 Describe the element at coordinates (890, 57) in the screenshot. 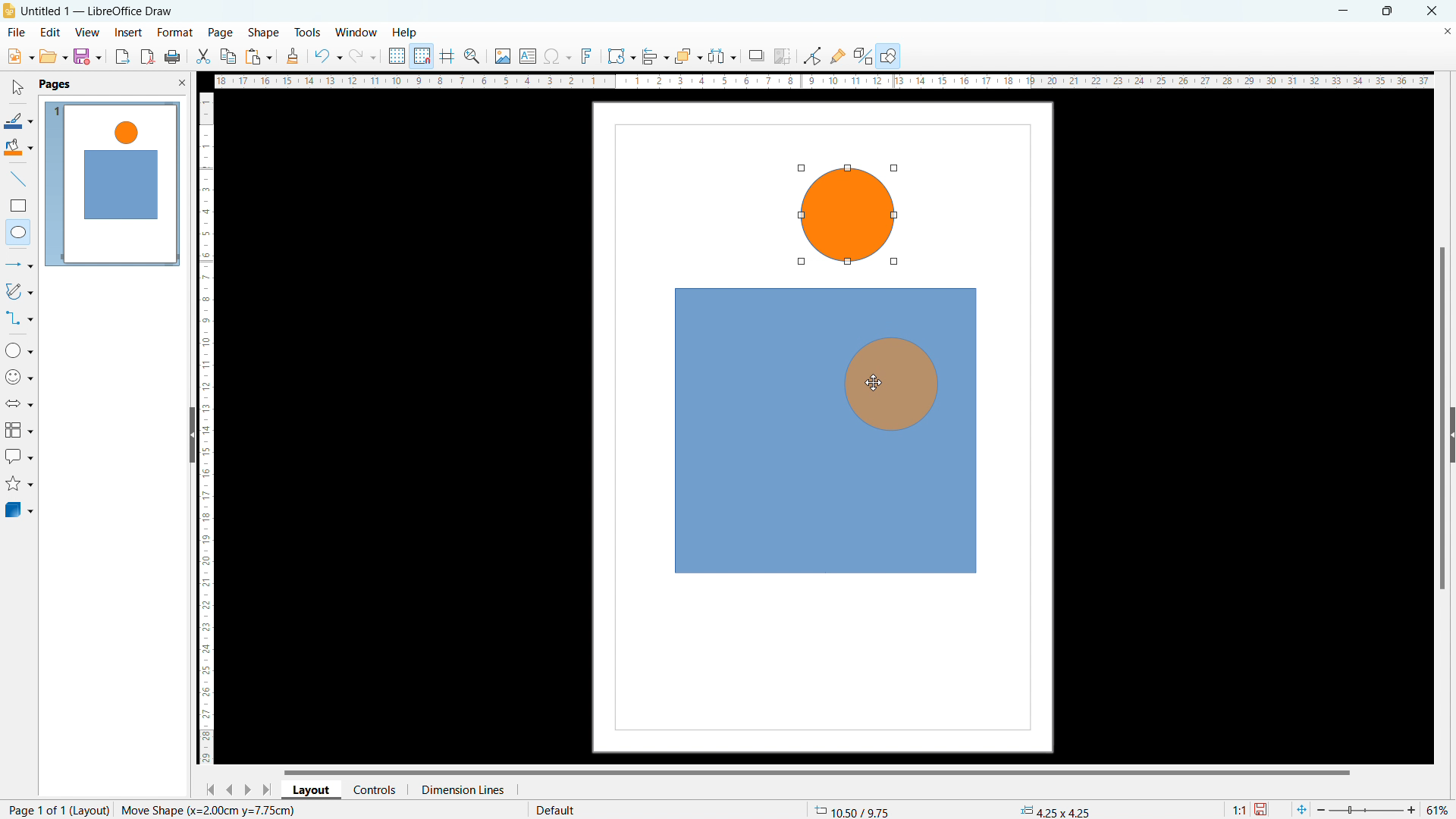

I see `show draw functions` at that location.